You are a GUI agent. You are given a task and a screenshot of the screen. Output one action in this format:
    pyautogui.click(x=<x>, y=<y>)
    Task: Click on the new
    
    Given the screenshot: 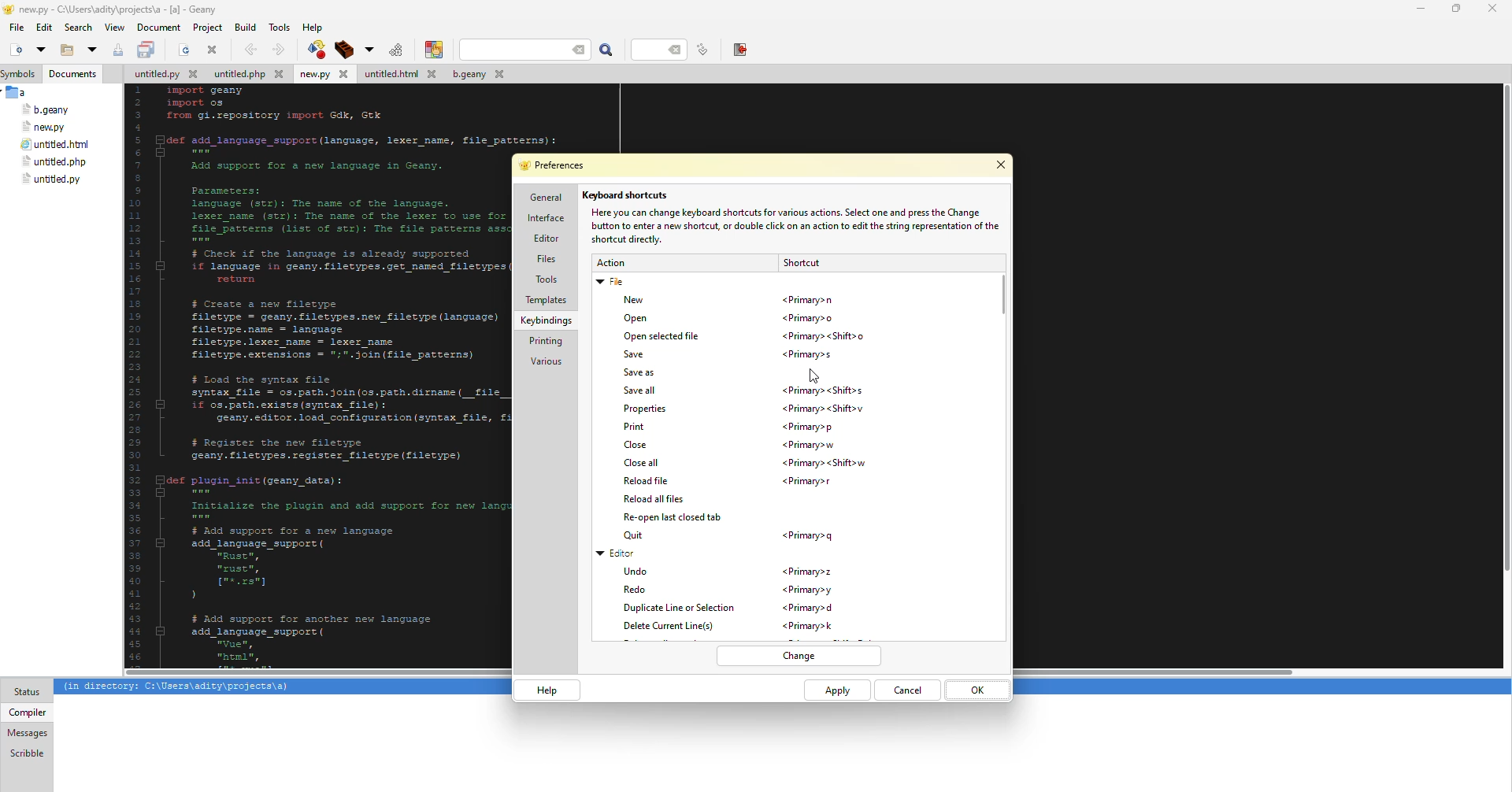 What is the action you would take?
    pyautogui.click(x=14, y=50)
    